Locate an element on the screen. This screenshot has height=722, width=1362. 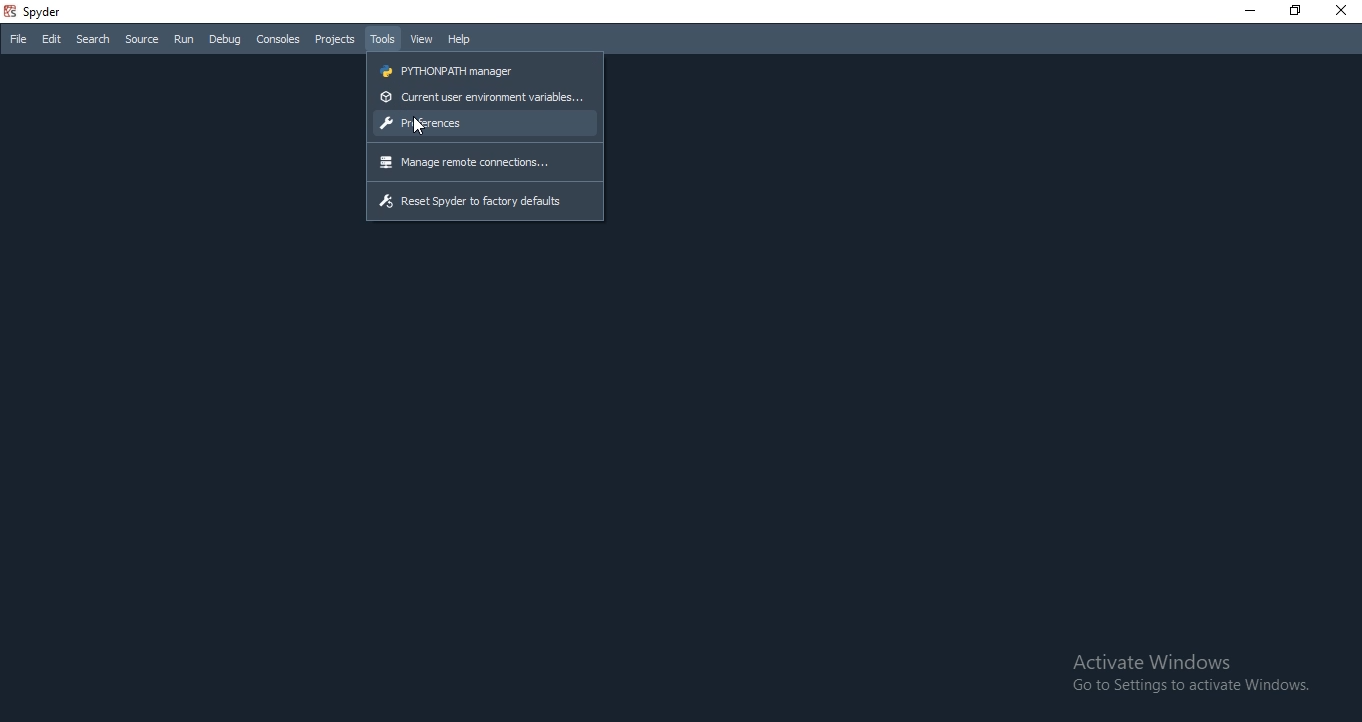
Help is located at coordinates (460, 39).